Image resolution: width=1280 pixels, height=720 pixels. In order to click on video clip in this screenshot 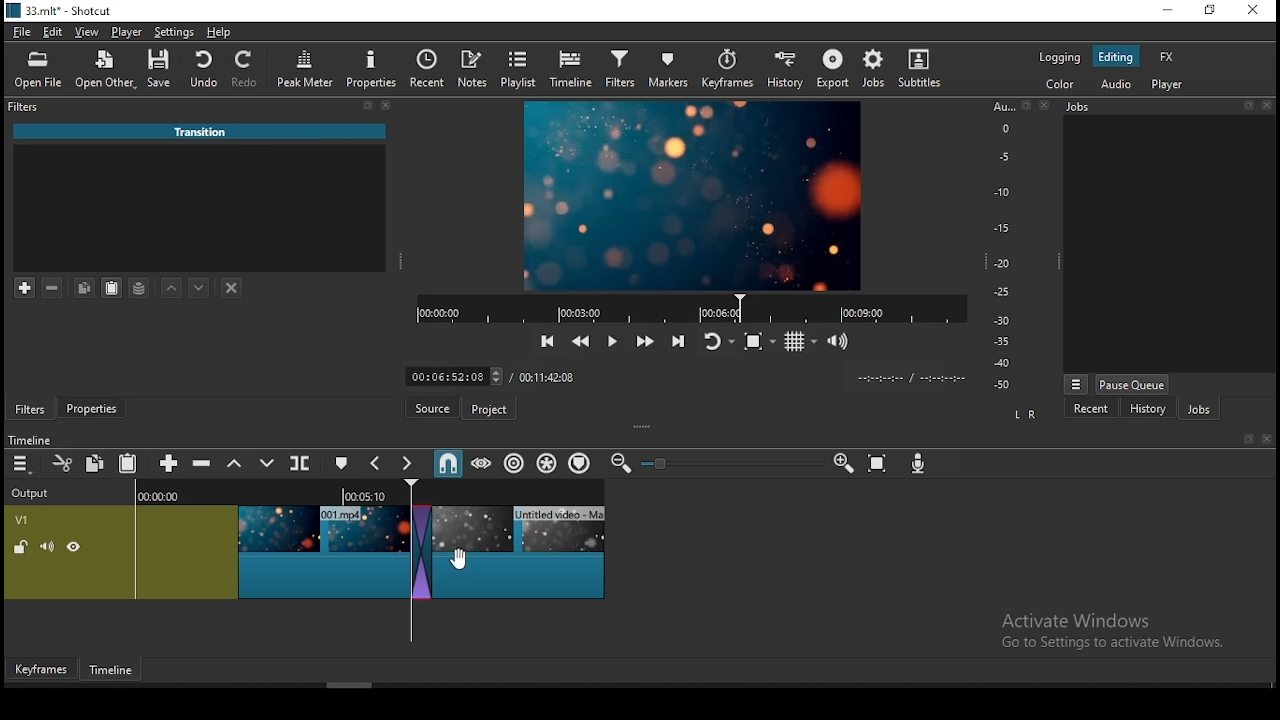, I will do `click(322, 555)`.